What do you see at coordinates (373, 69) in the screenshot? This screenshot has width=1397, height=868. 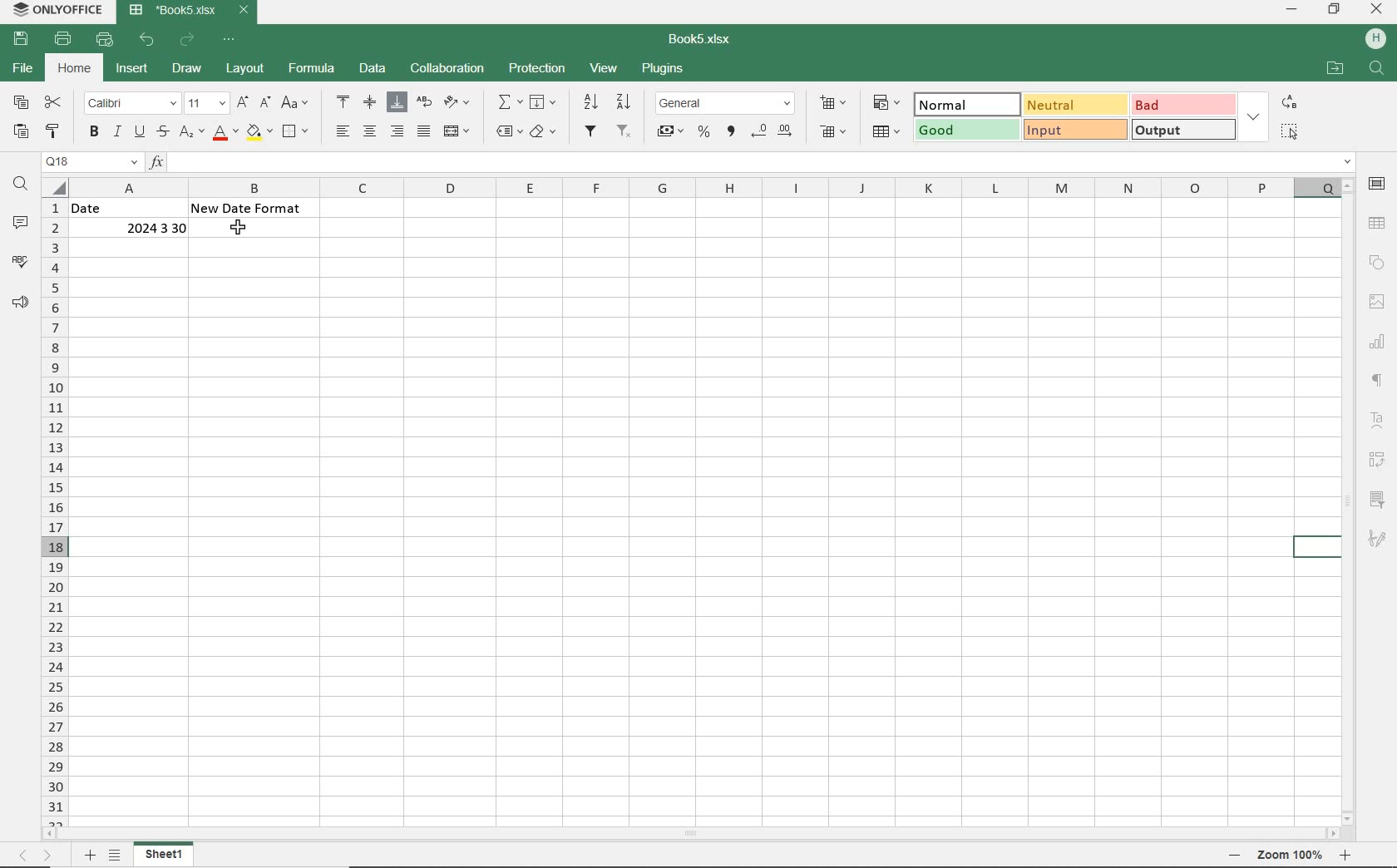 I see `DATA` at bounding box center [373, 69].